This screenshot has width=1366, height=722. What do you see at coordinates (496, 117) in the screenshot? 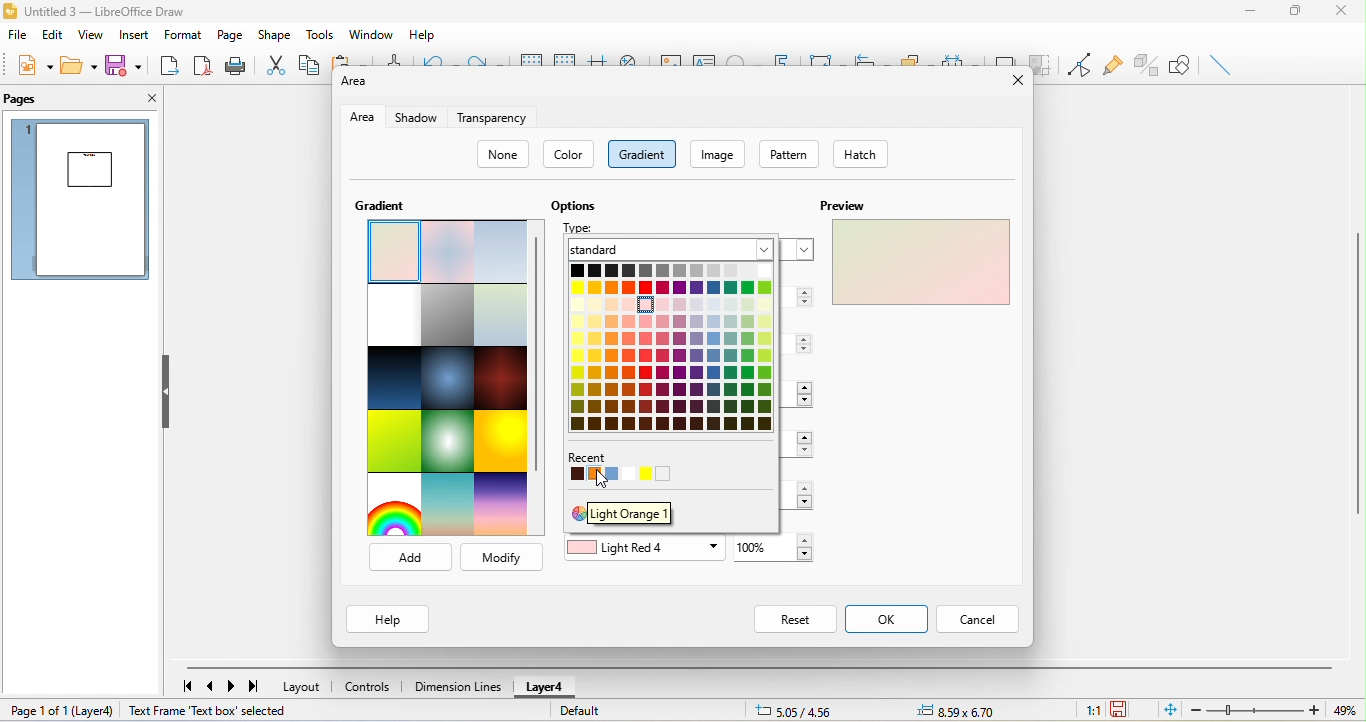
I see `transparency` at bounding box center [496, 117].